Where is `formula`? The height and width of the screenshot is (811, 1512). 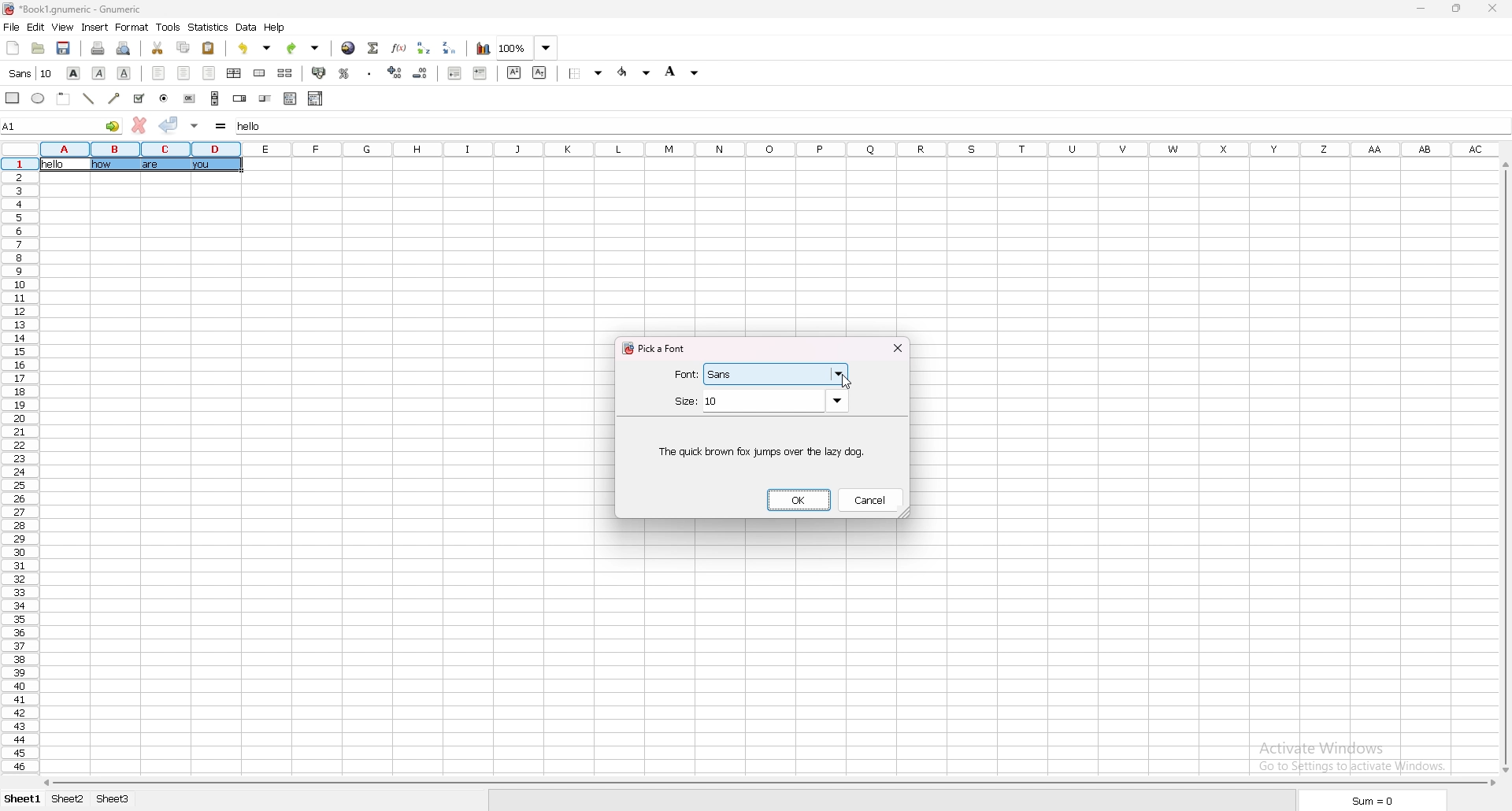
formula is located at coordinates (221, 125).